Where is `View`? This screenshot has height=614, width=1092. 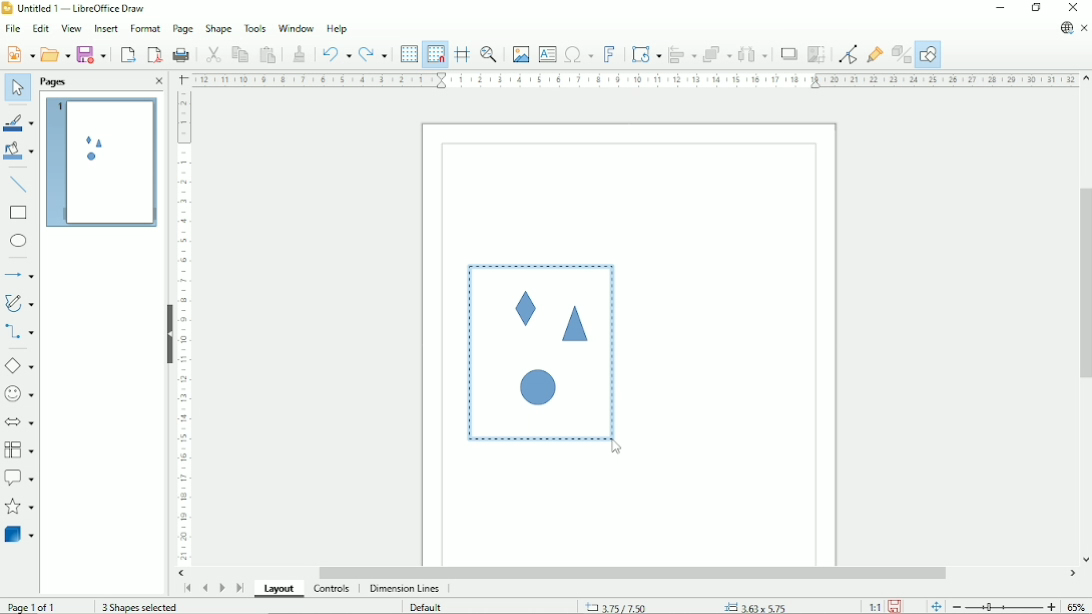 View is located at coordinates (71, 27).